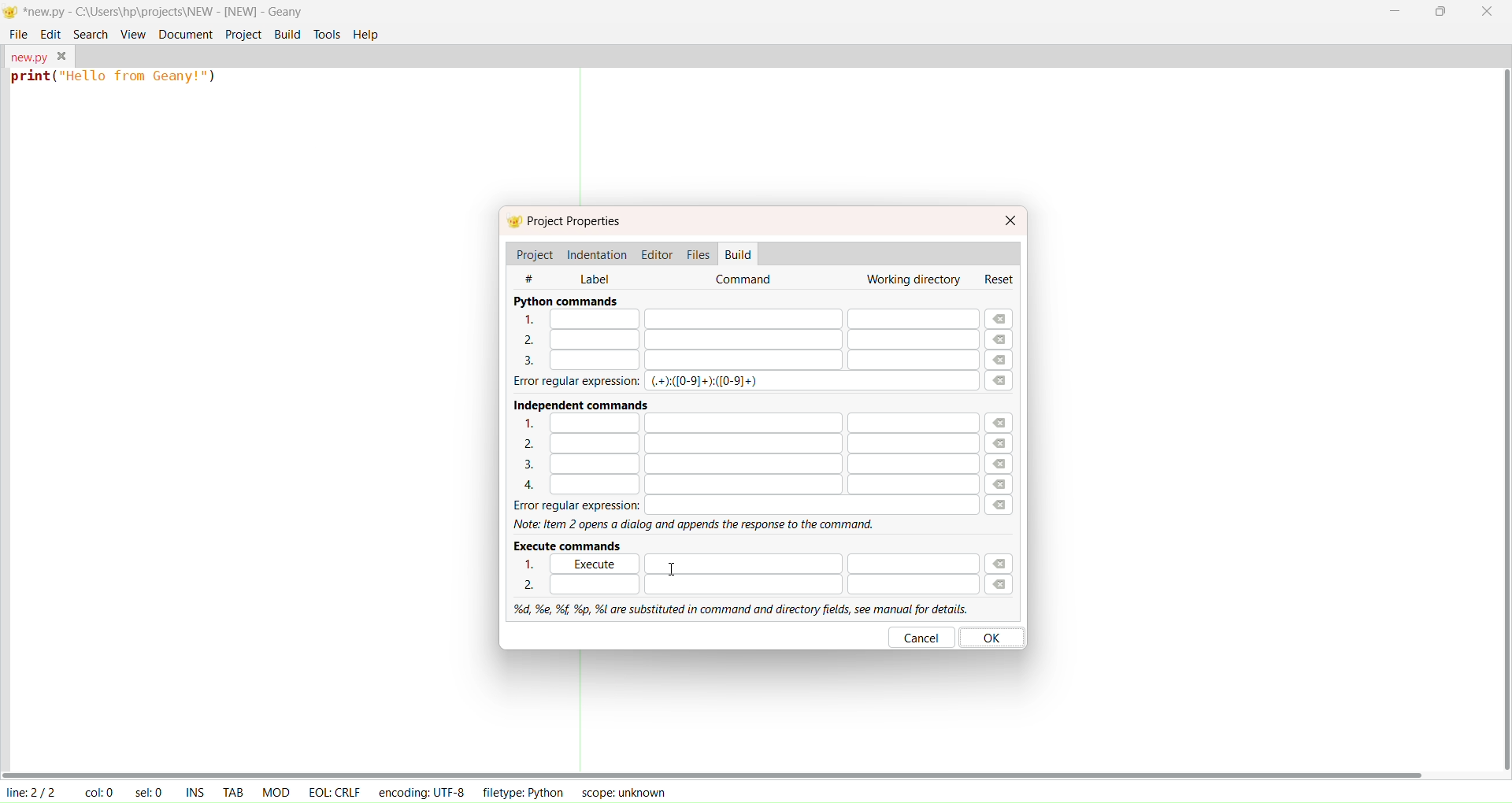 This screenshot has height=803, width=1512. Describe the element at coordinates (743, 361) in the screenshot. I see `3.` at that location.